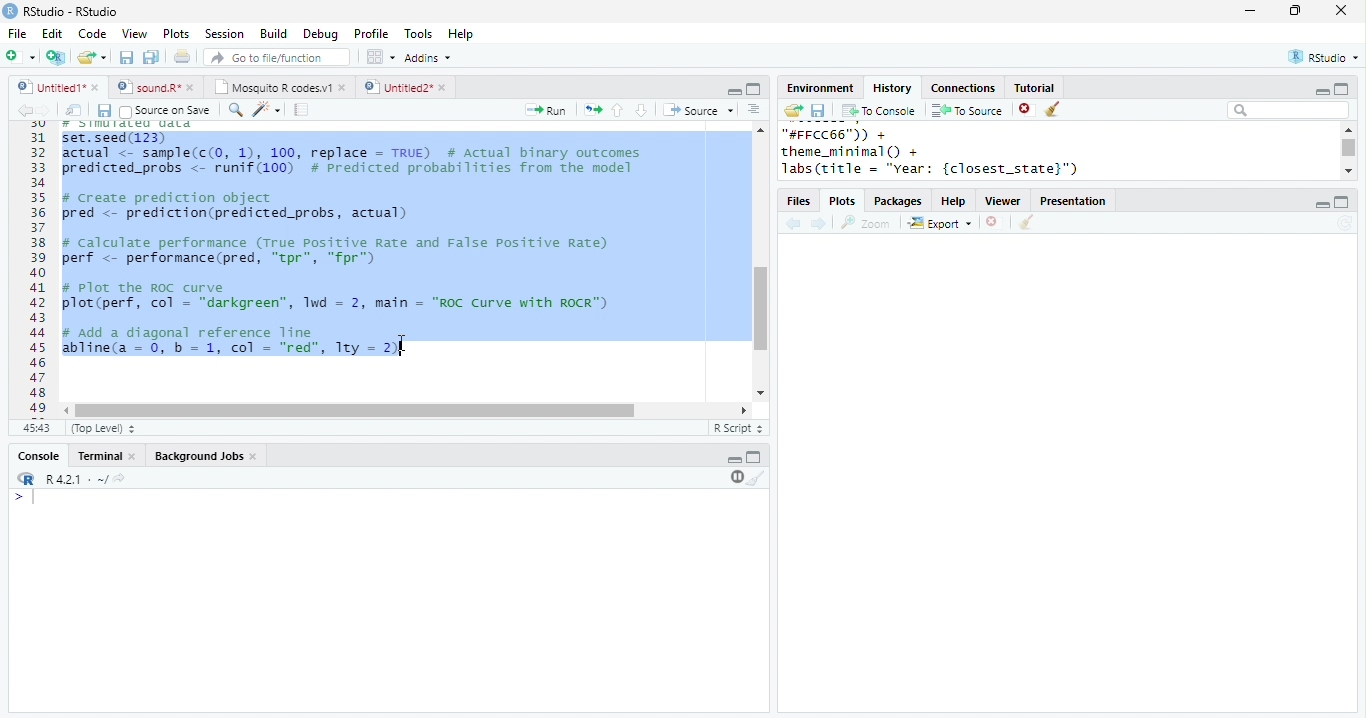 This screenshot has height=718, width=1366. Describe the element at coordinates (17, 34) in the screenshot. I see `File` at that location.